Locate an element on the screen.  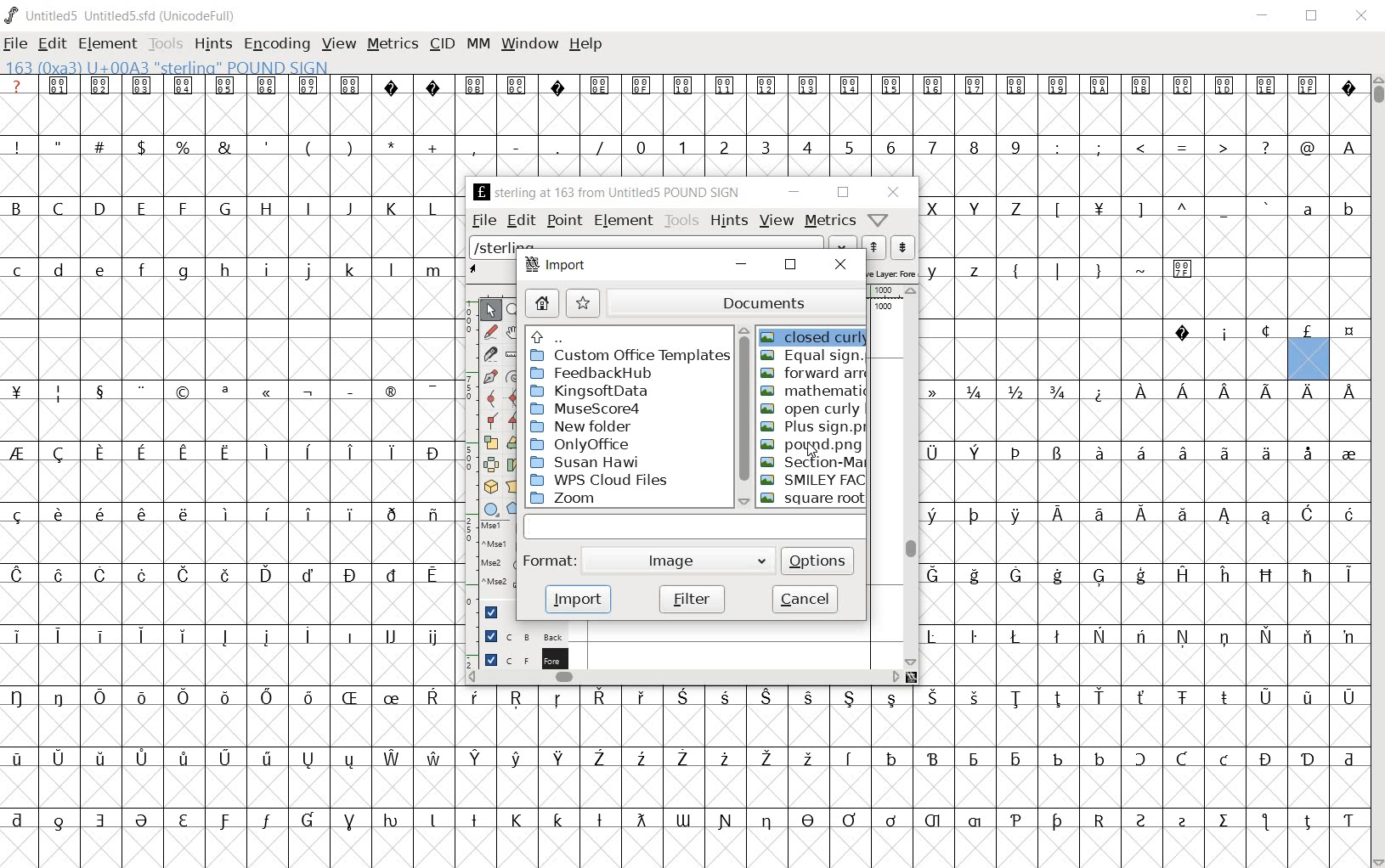
8 is located at coordinates (973, 148).